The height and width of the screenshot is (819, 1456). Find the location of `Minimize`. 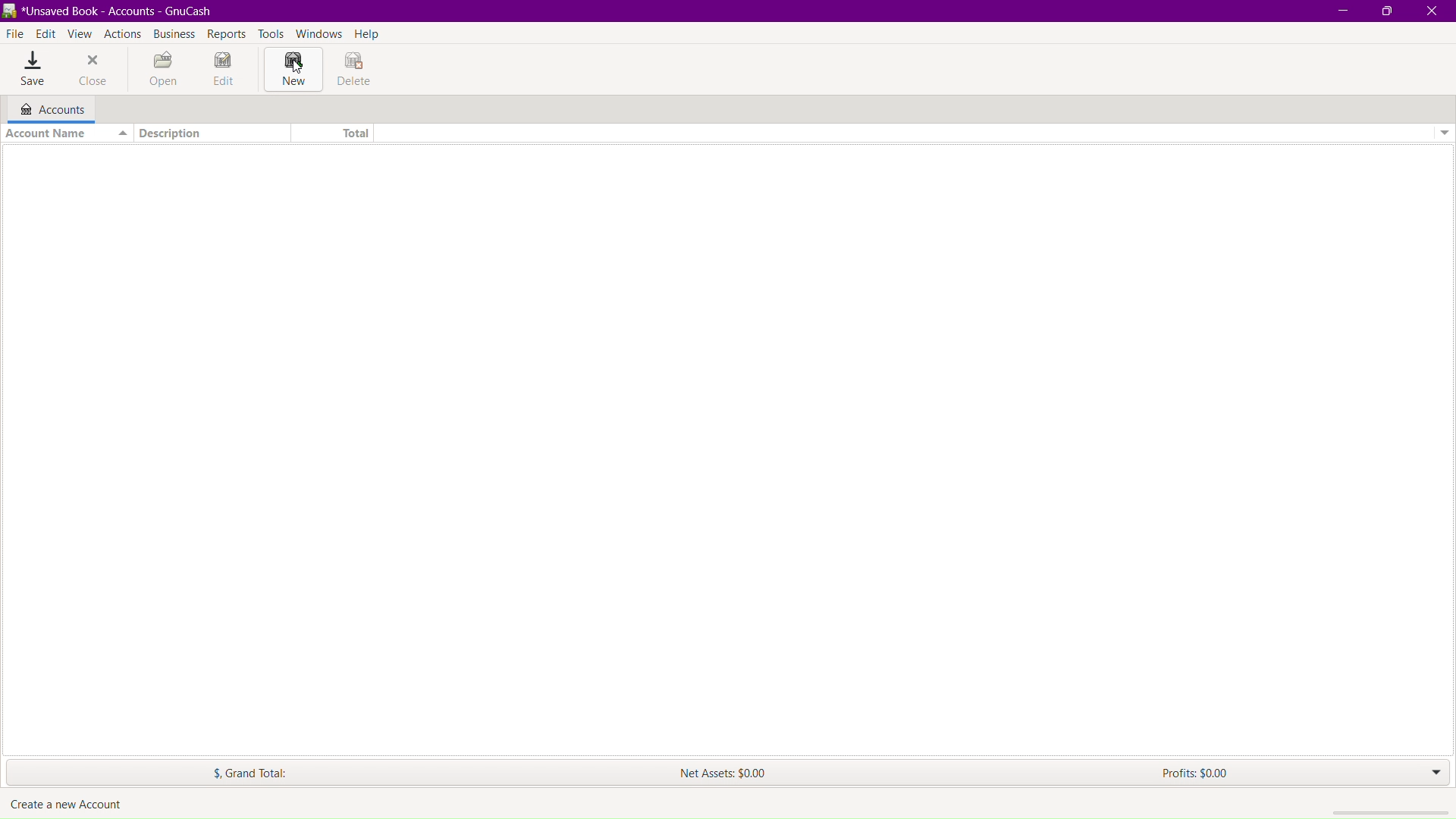

Minimize is located at coordinates (1345, 11).